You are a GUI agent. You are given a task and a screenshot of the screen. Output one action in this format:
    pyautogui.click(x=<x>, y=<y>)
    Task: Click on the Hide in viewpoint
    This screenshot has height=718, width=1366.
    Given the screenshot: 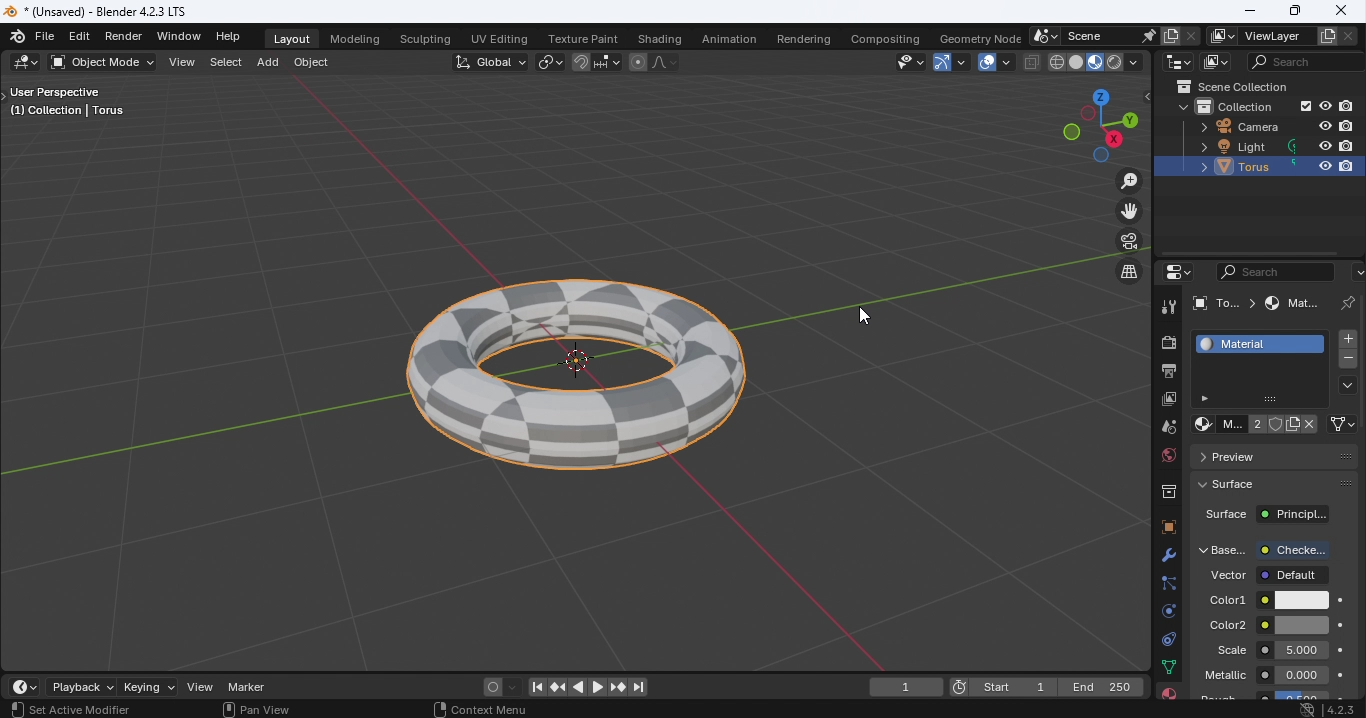 What is the action you would take?
    pyautogui.click(x=1325, y=147)
    